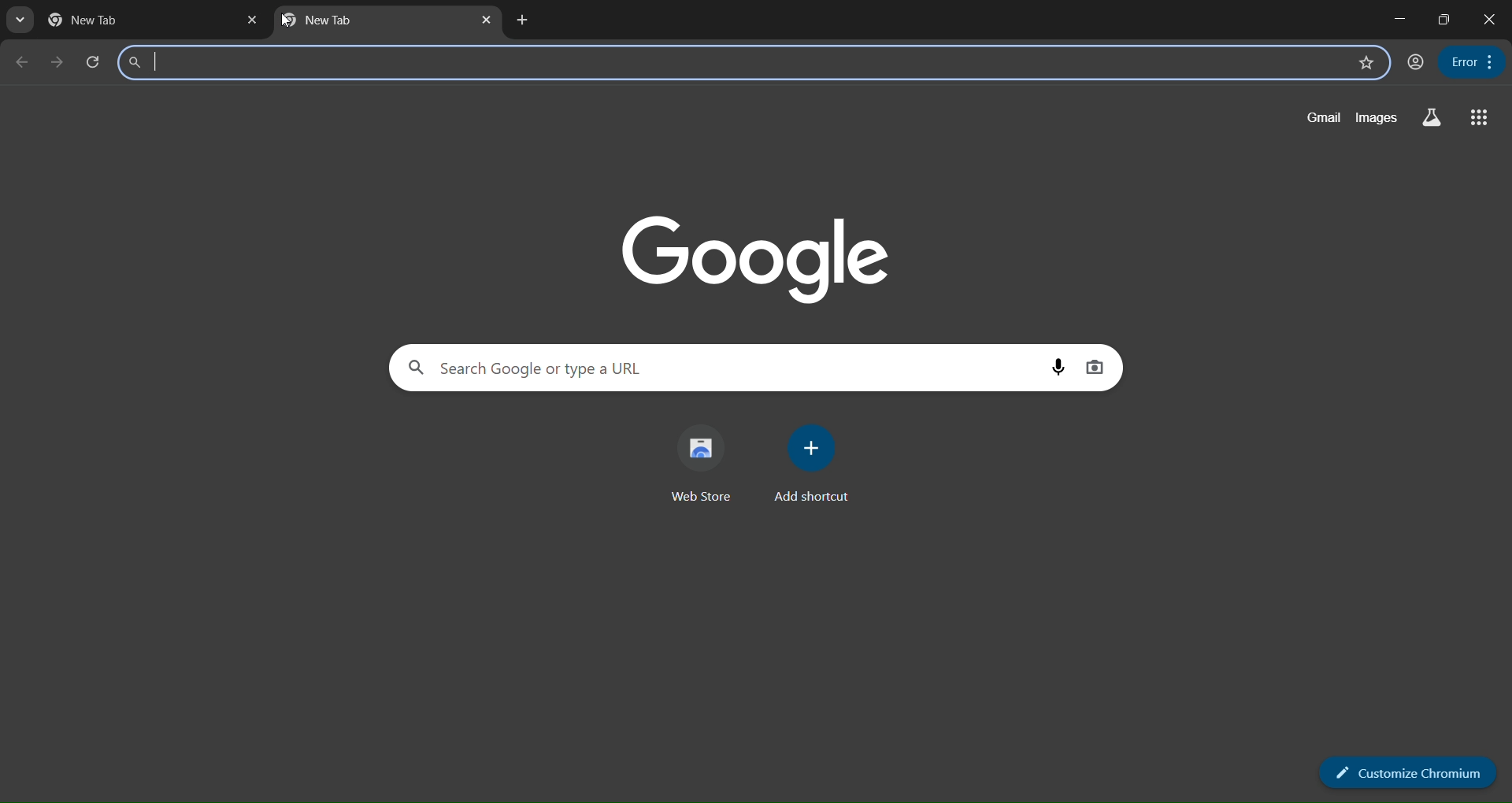  What do you see at coordinates (1055, 365) in the screenshot?
I see `audio search` at bounding box center [1055, 365].